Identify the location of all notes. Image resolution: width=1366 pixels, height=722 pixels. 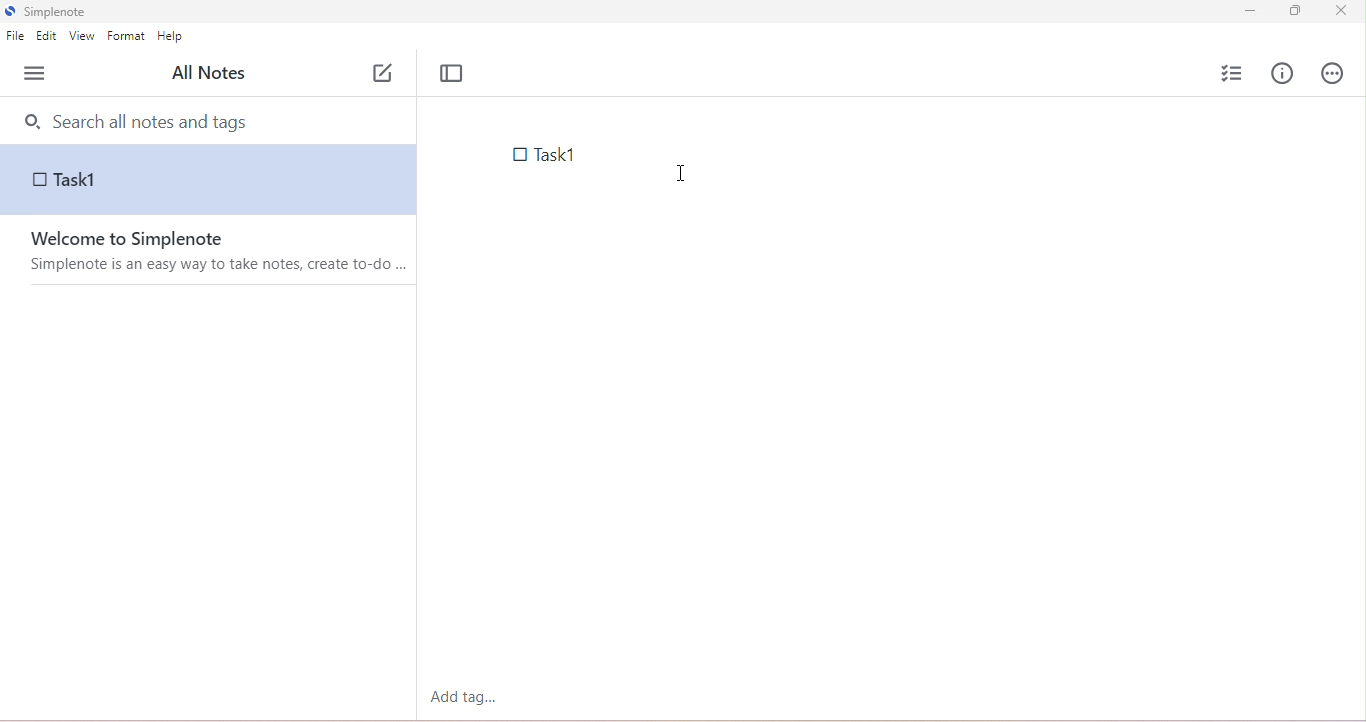
(212, 74).